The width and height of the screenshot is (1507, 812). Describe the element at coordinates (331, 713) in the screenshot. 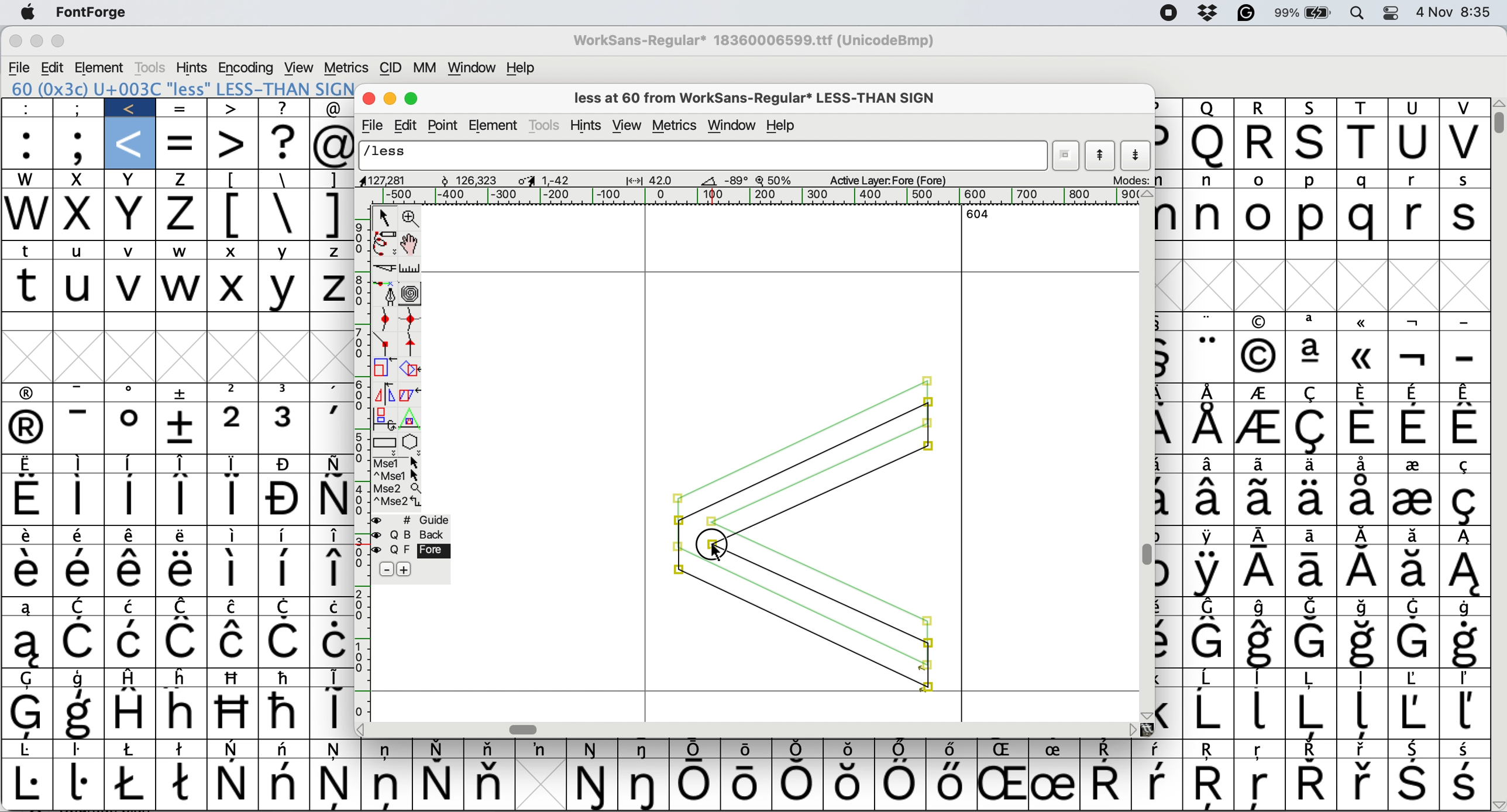

I see `Symbol` at that location.